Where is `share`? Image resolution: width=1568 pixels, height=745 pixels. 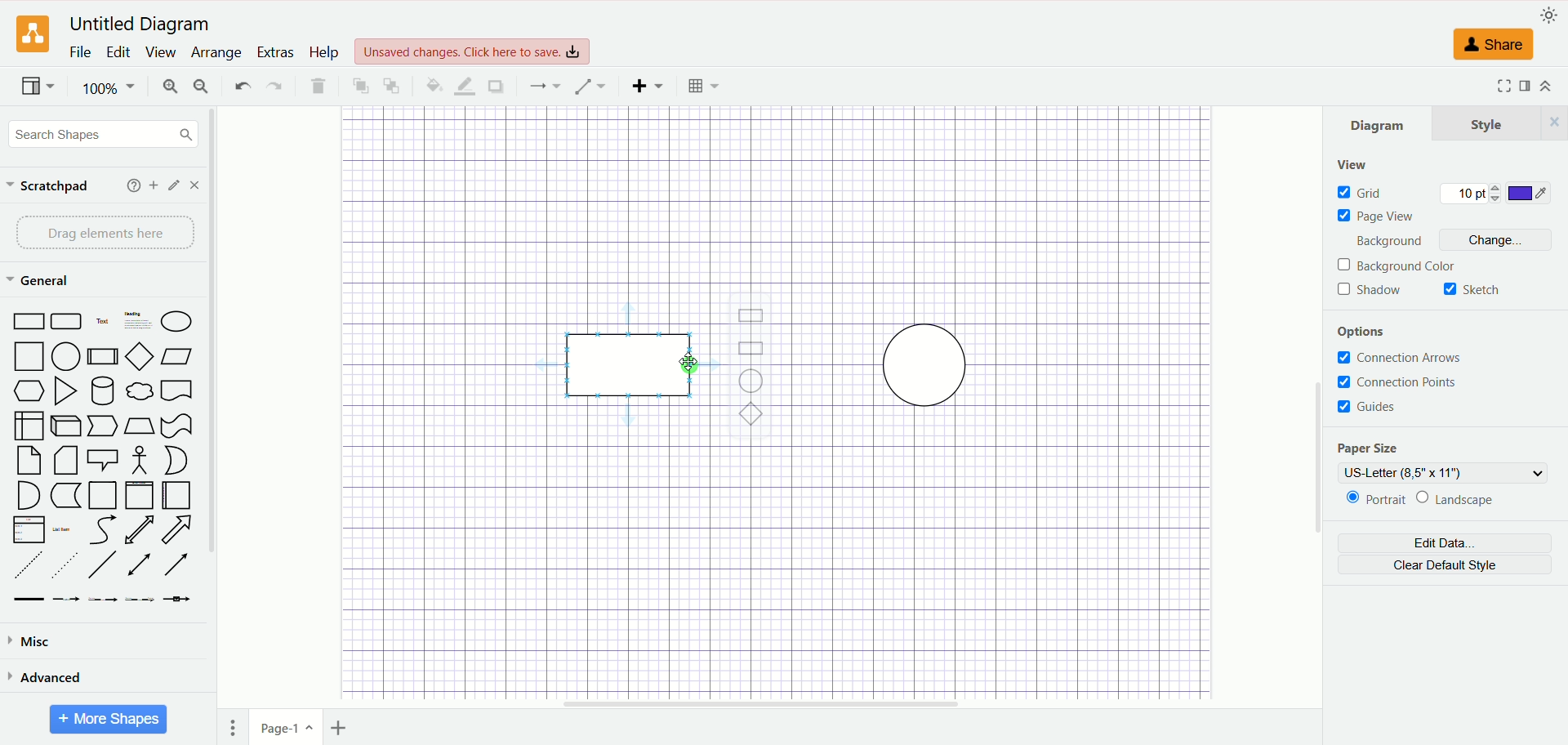 share is located at coordinates (1493, 45).